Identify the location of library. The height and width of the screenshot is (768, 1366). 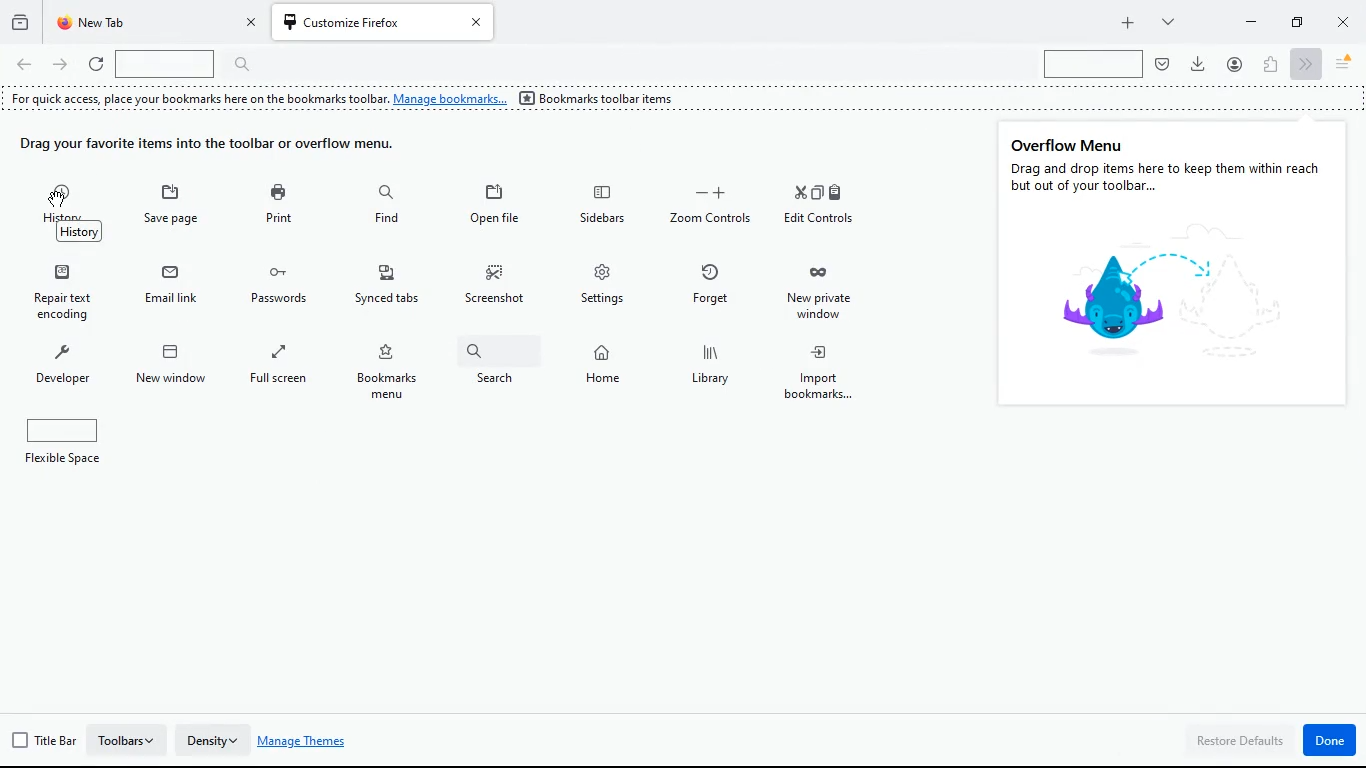
(718, 370).